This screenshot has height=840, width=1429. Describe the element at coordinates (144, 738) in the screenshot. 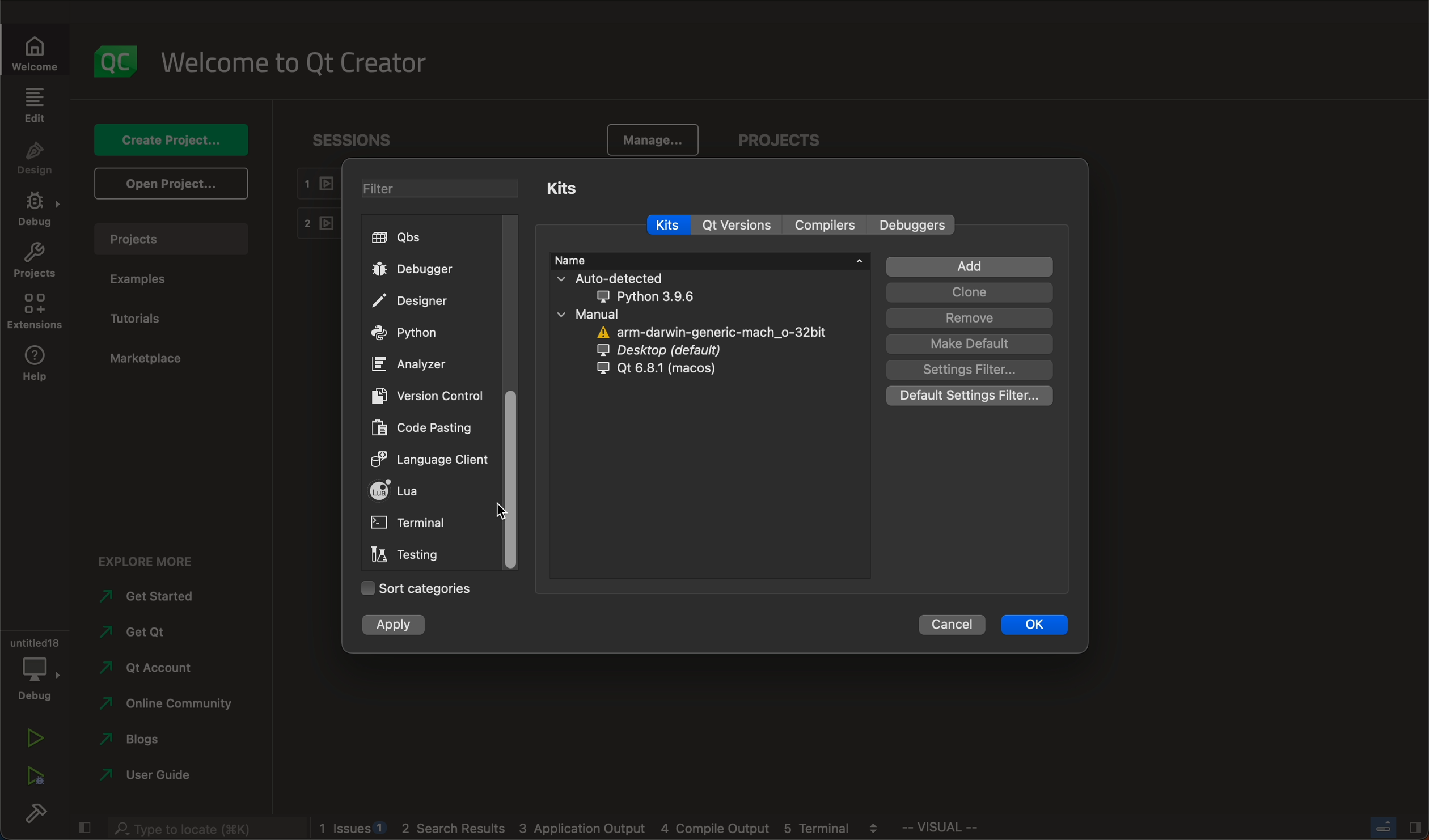

I see `blogs` at that location.